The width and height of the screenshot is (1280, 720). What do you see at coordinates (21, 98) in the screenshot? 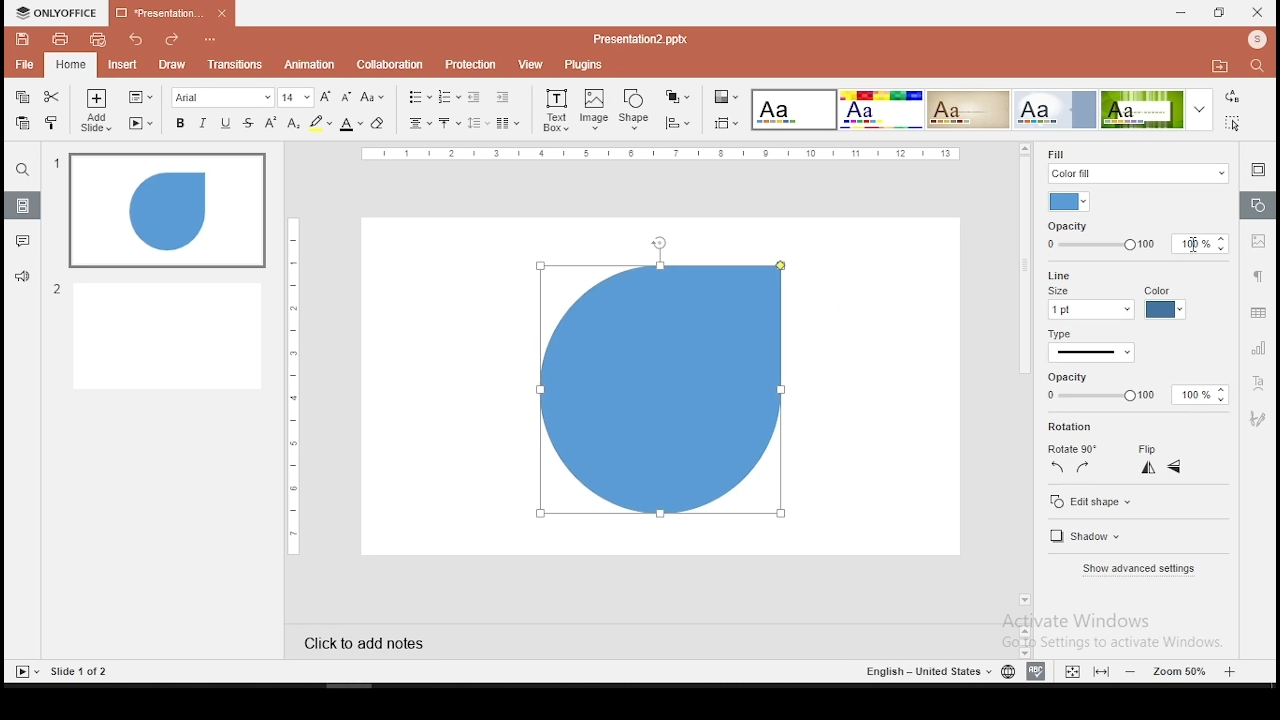
I see `copy` at bounding box center [21, 98].